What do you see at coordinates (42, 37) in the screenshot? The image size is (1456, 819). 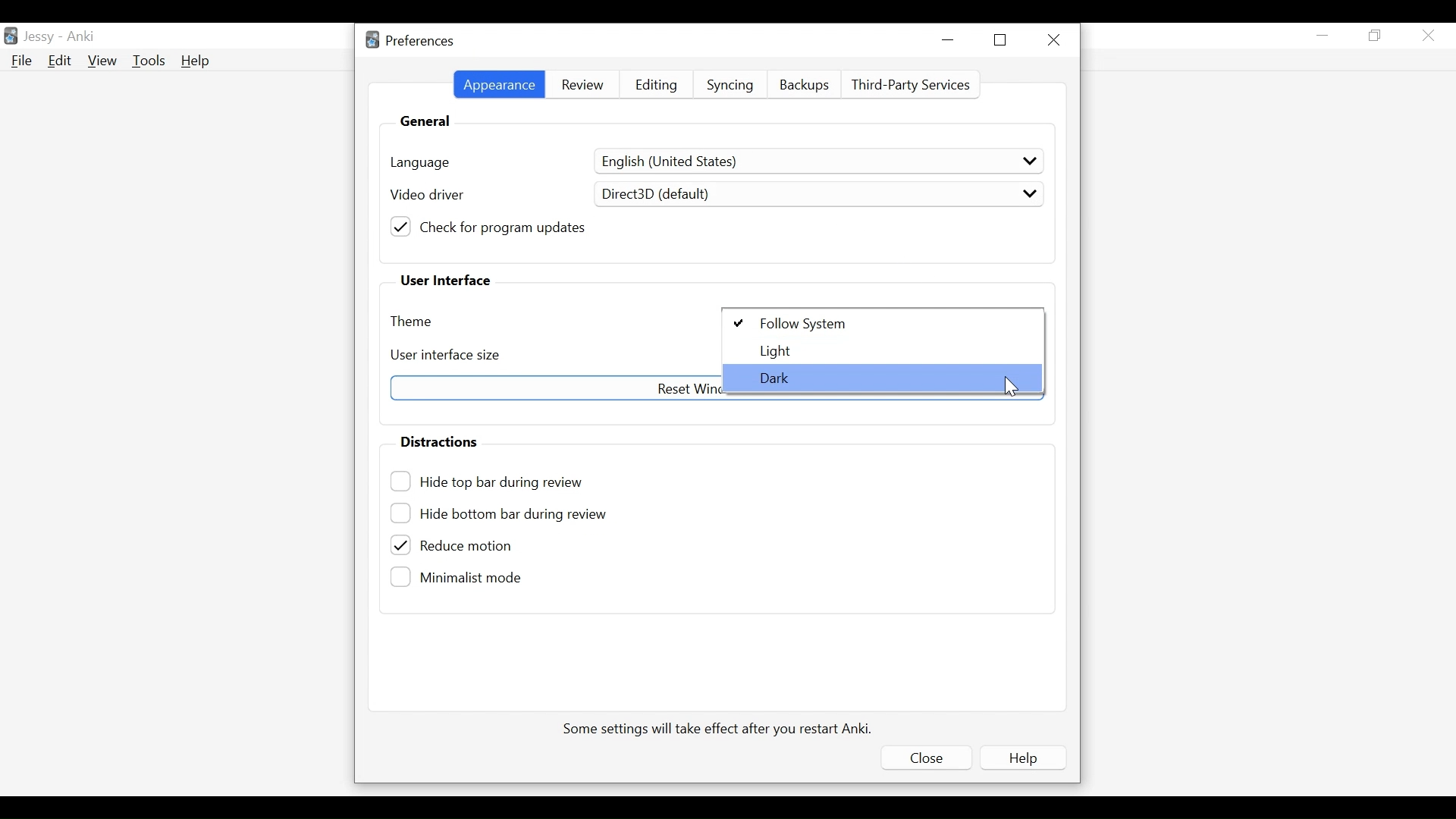 I see `User Name` at bounding box center [42, 37].